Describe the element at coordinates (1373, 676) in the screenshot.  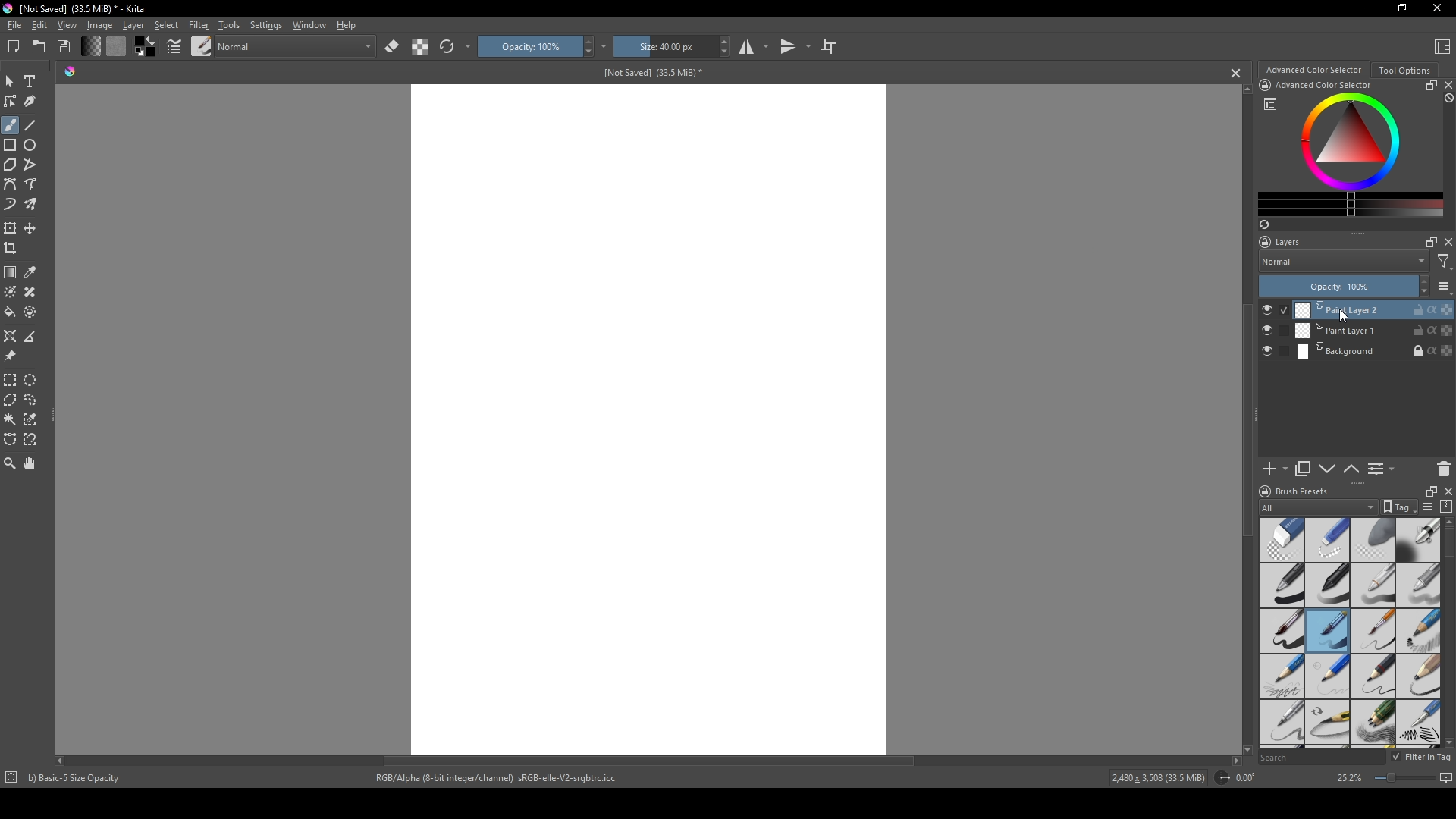
I see `pencil` at that location.